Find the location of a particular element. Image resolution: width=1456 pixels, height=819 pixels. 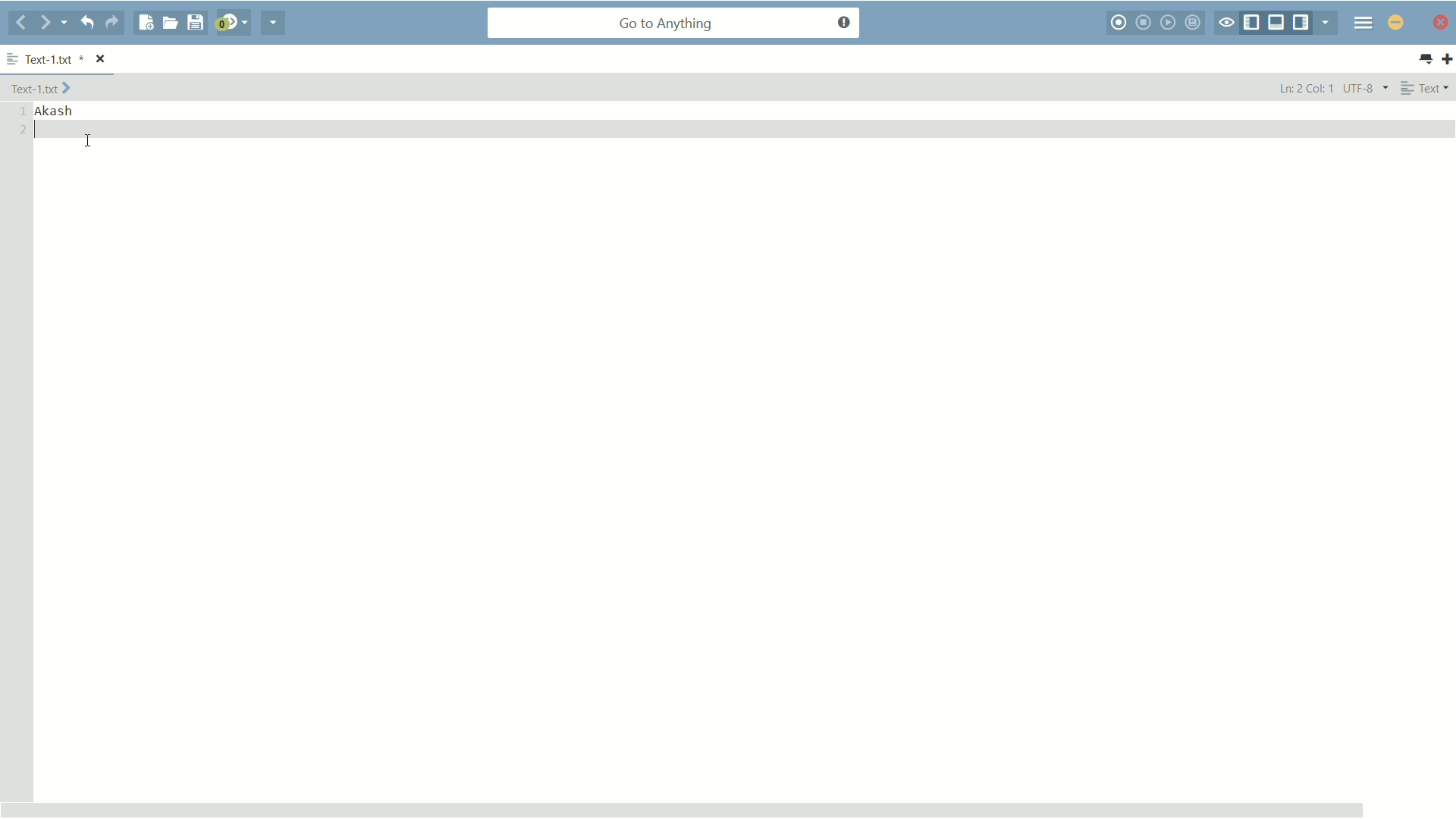

show/hide left panel is located at coordinates (1250, 23).